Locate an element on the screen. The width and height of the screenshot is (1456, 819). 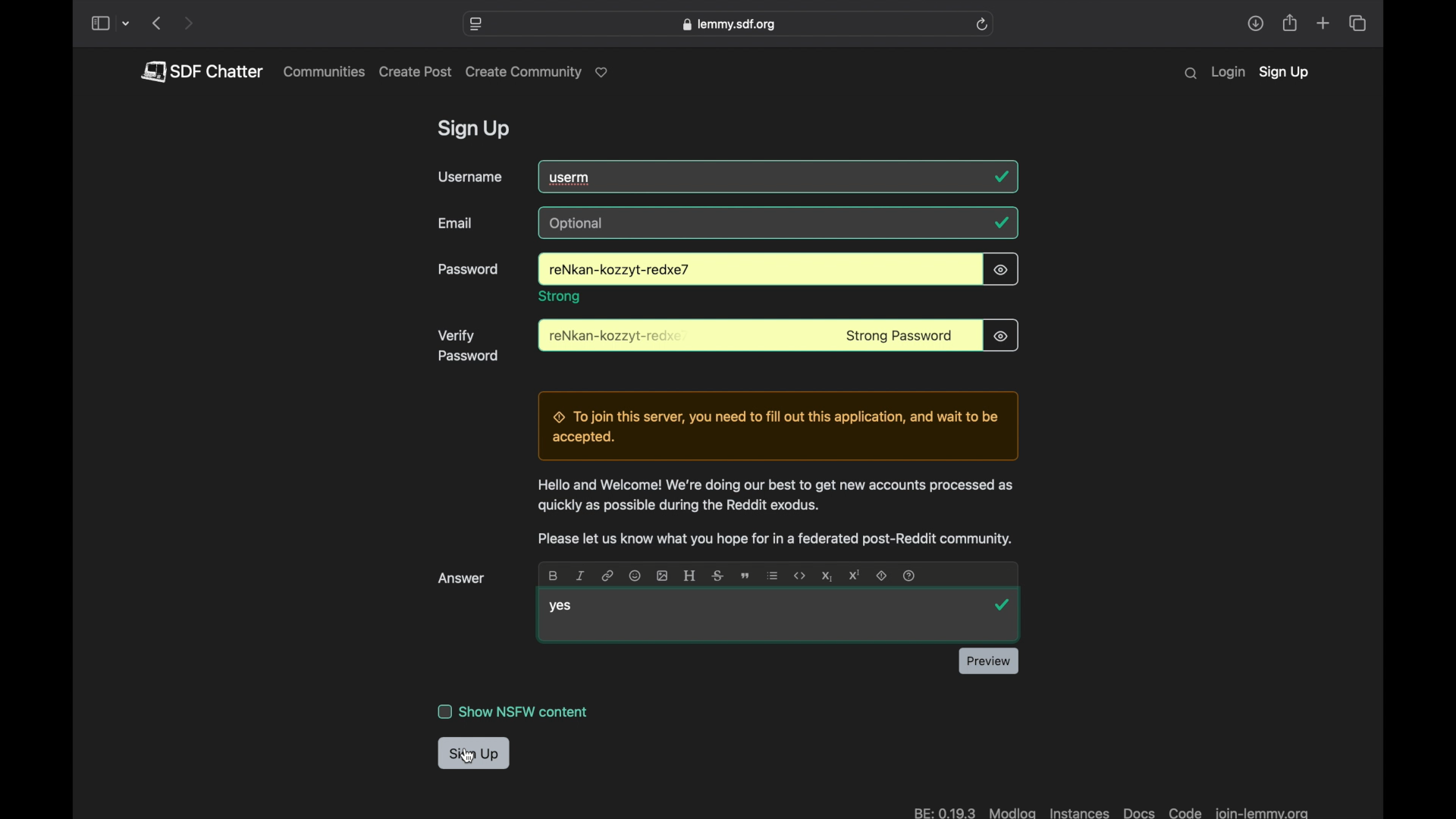
visibility toggle is located at coordinates (1002, 269).